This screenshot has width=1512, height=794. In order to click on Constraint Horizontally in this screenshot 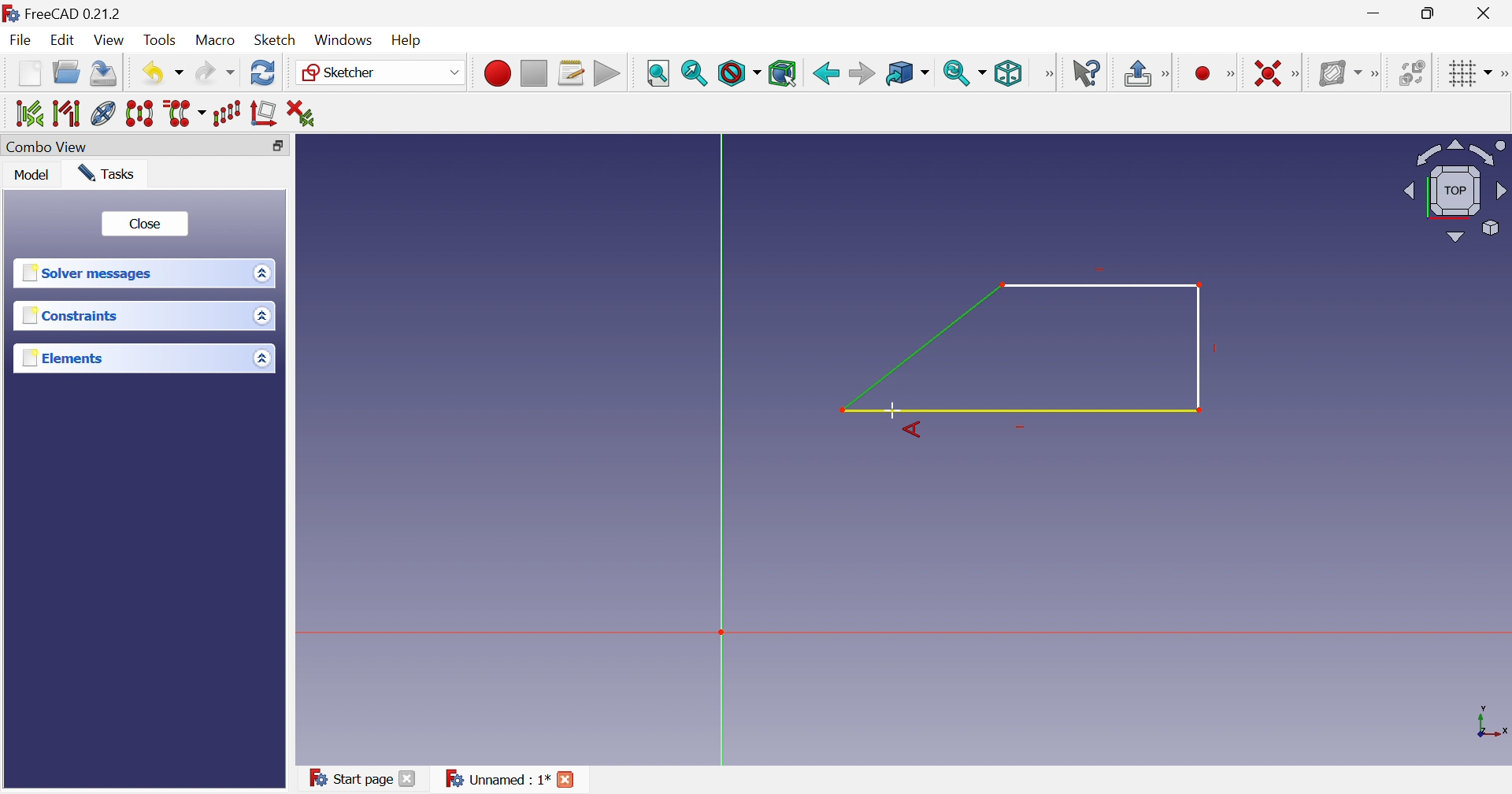, I will do `click(1256, 70)`.